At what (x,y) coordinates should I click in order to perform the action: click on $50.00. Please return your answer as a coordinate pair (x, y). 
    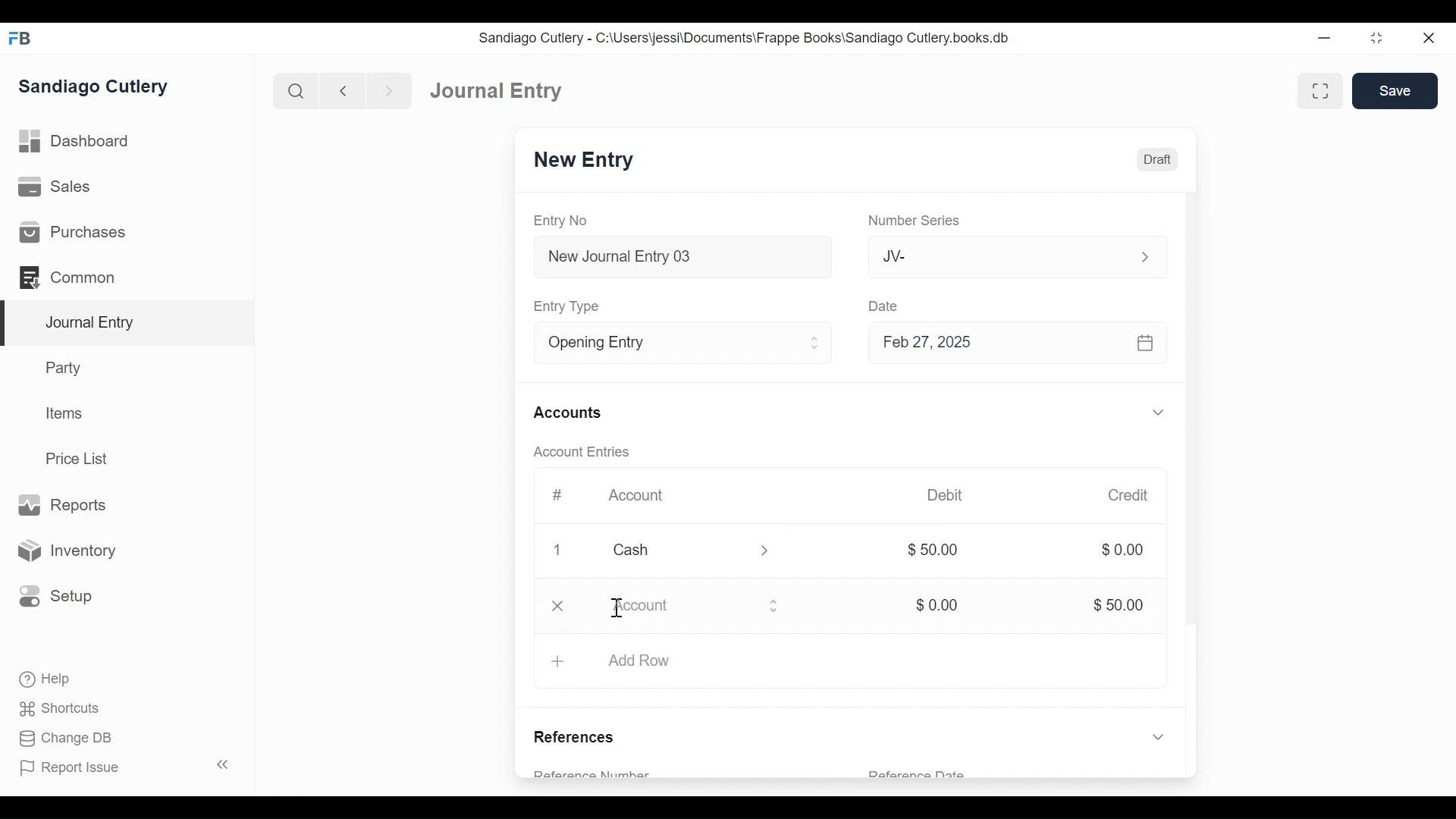
    Looking at the image, I should click on (940, 550).